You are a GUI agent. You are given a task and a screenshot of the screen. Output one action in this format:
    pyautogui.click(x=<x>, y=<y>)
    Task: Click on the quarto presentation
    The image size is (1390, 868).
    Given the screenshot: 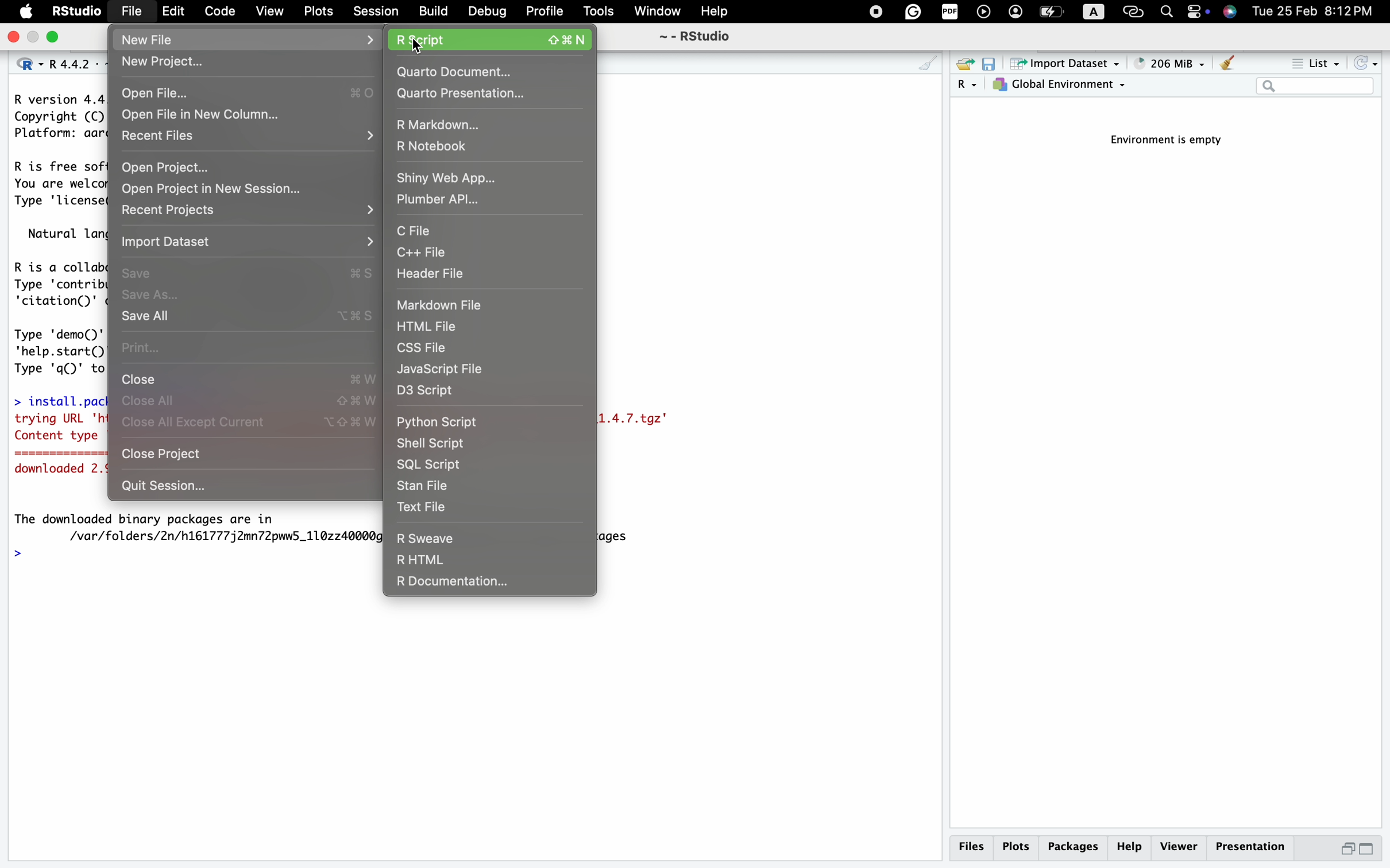 What is the action you would take?
    pyautogui.click(x=487, y=95)
    